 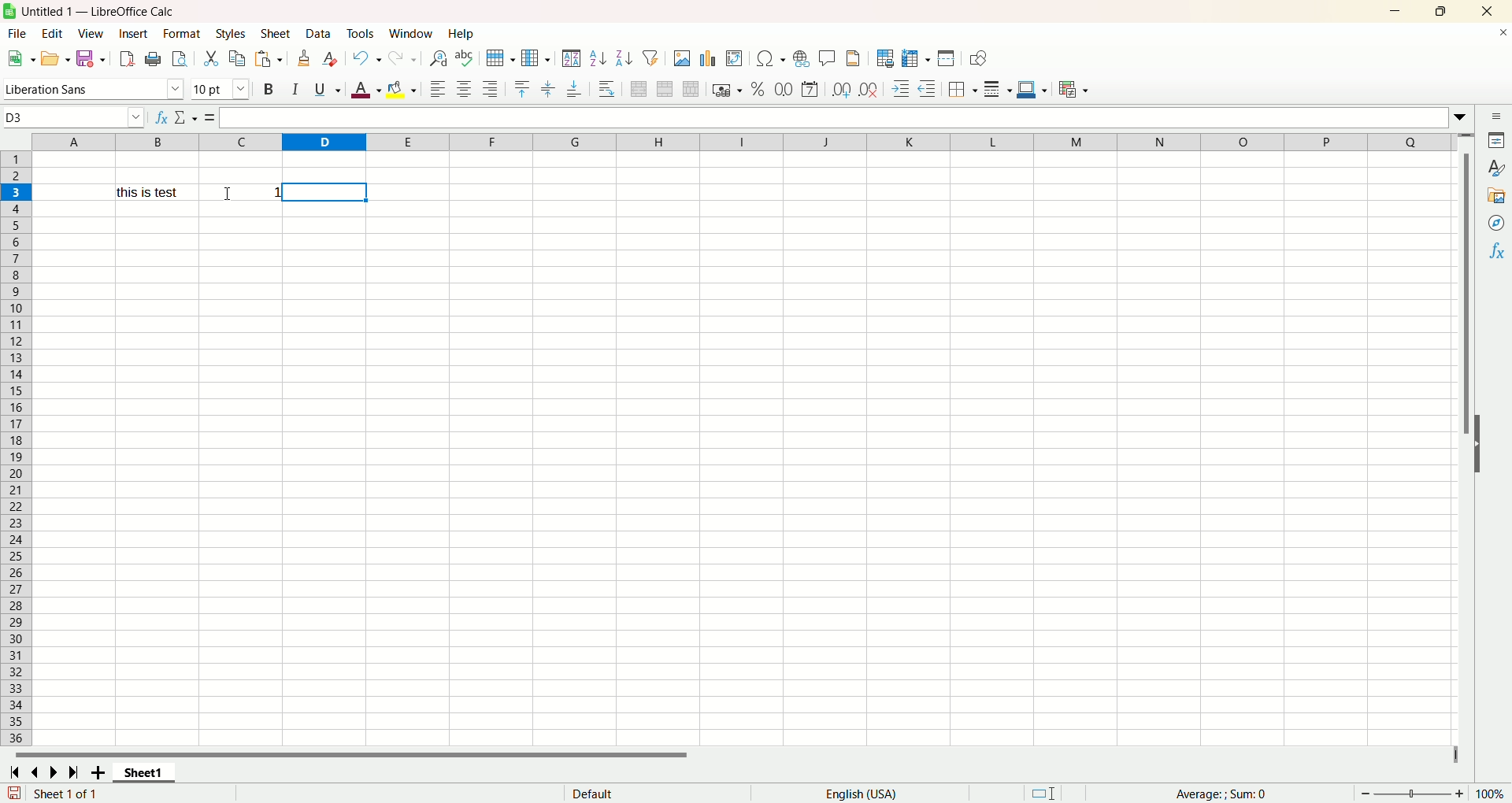 What do you see at coordinates (56, 34) in the screenshot?
I see `edit` at bounding box center [56, 34].